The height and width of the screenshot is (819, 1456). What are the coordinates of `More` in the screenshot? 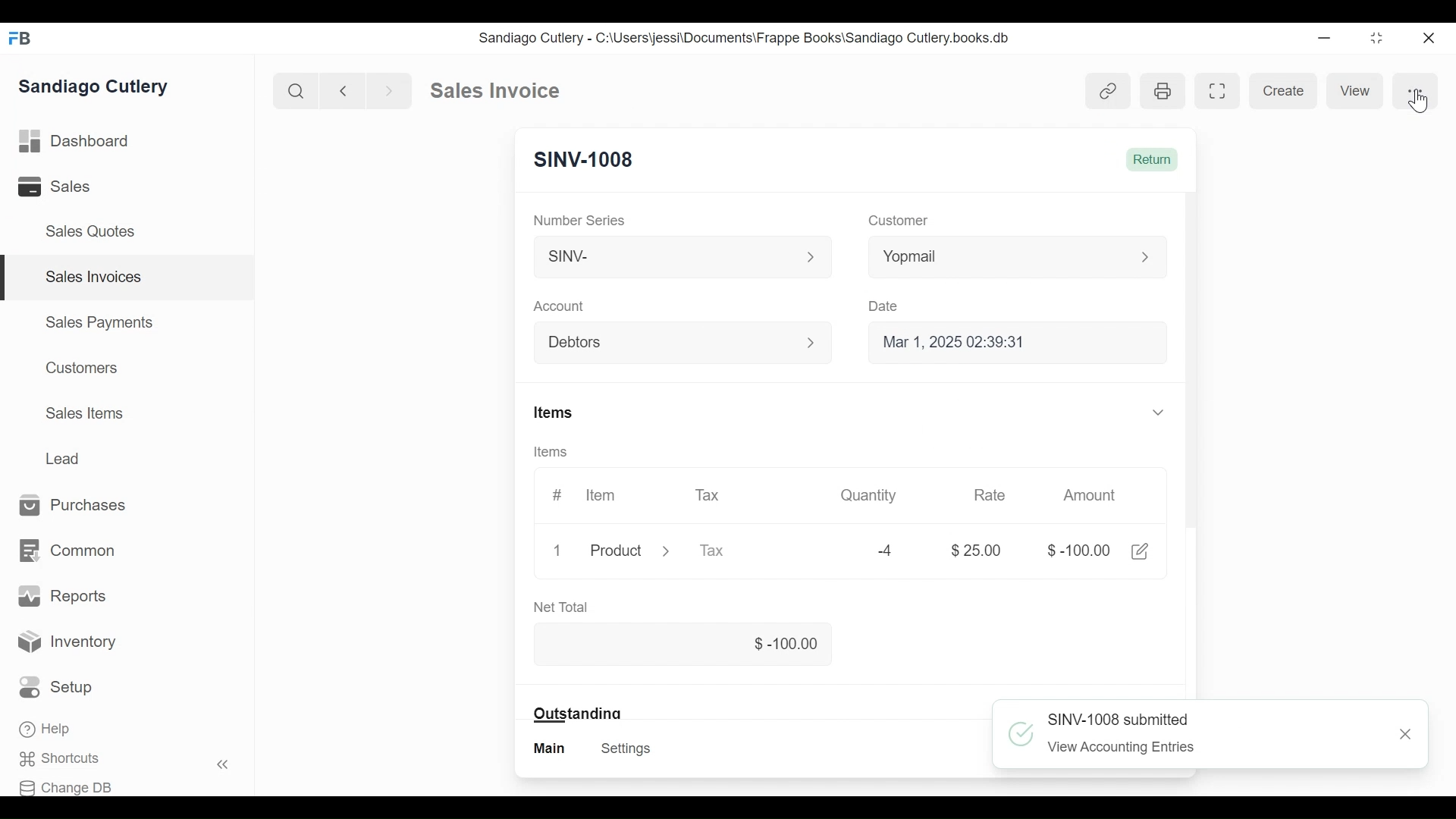 It's located at (1420, 90).